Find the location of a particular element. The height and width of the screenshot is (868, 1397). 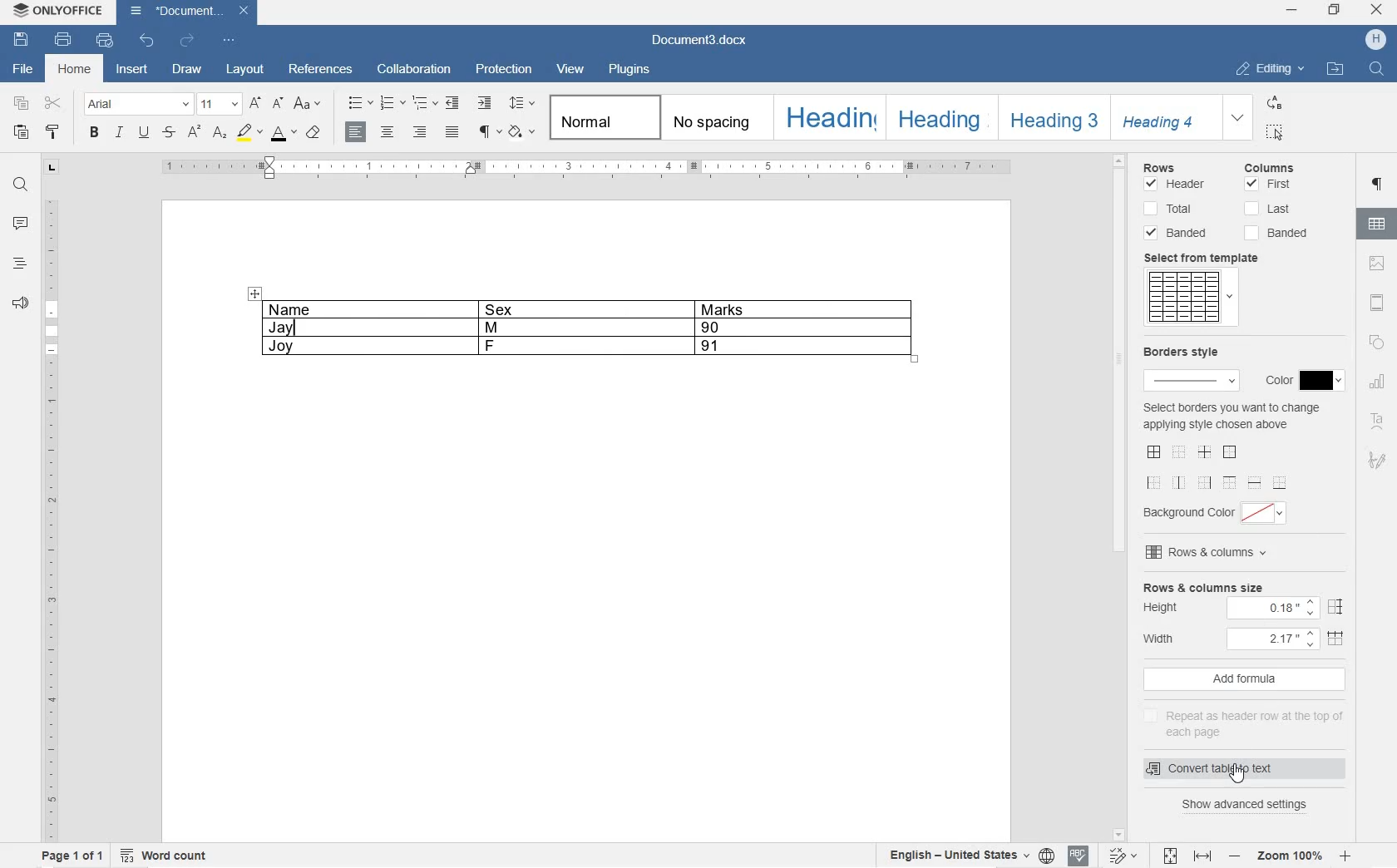

DECREASE INDENT is located at coordinates (452, 103).